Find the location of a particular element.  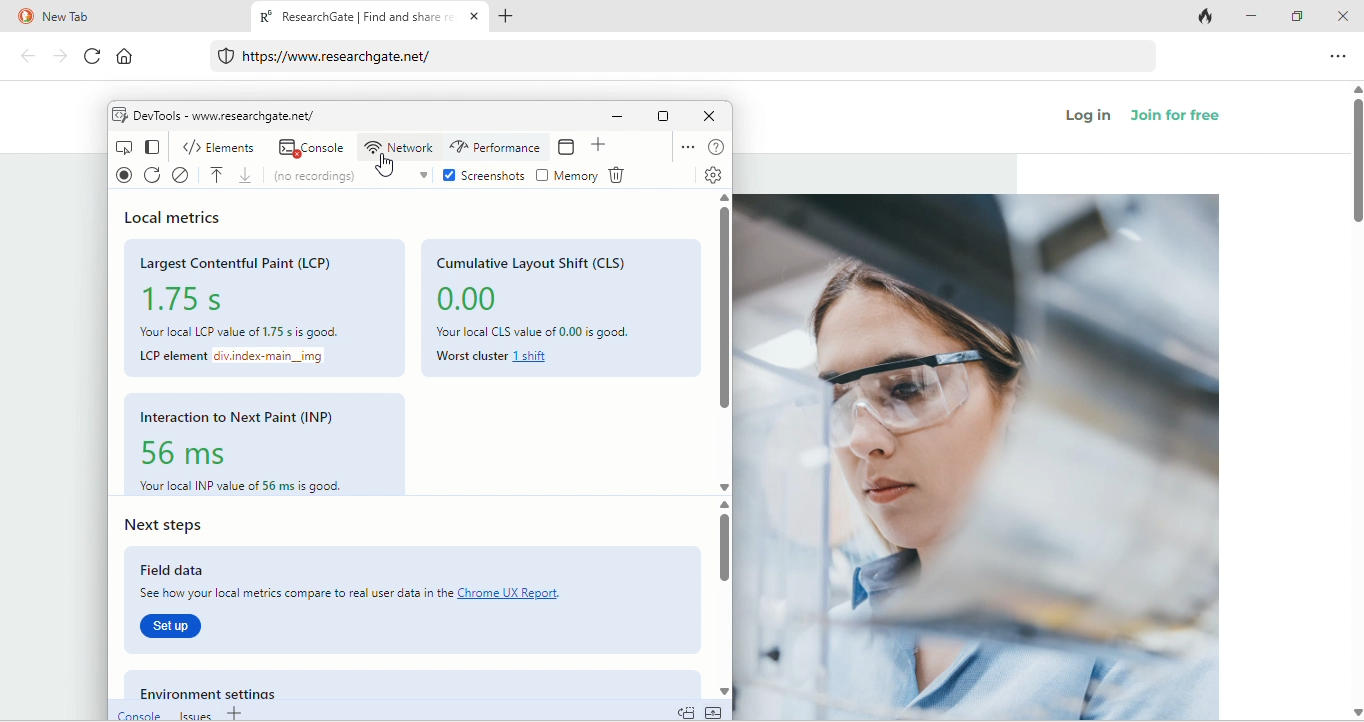

log in is located at coordinates (1090, 118).